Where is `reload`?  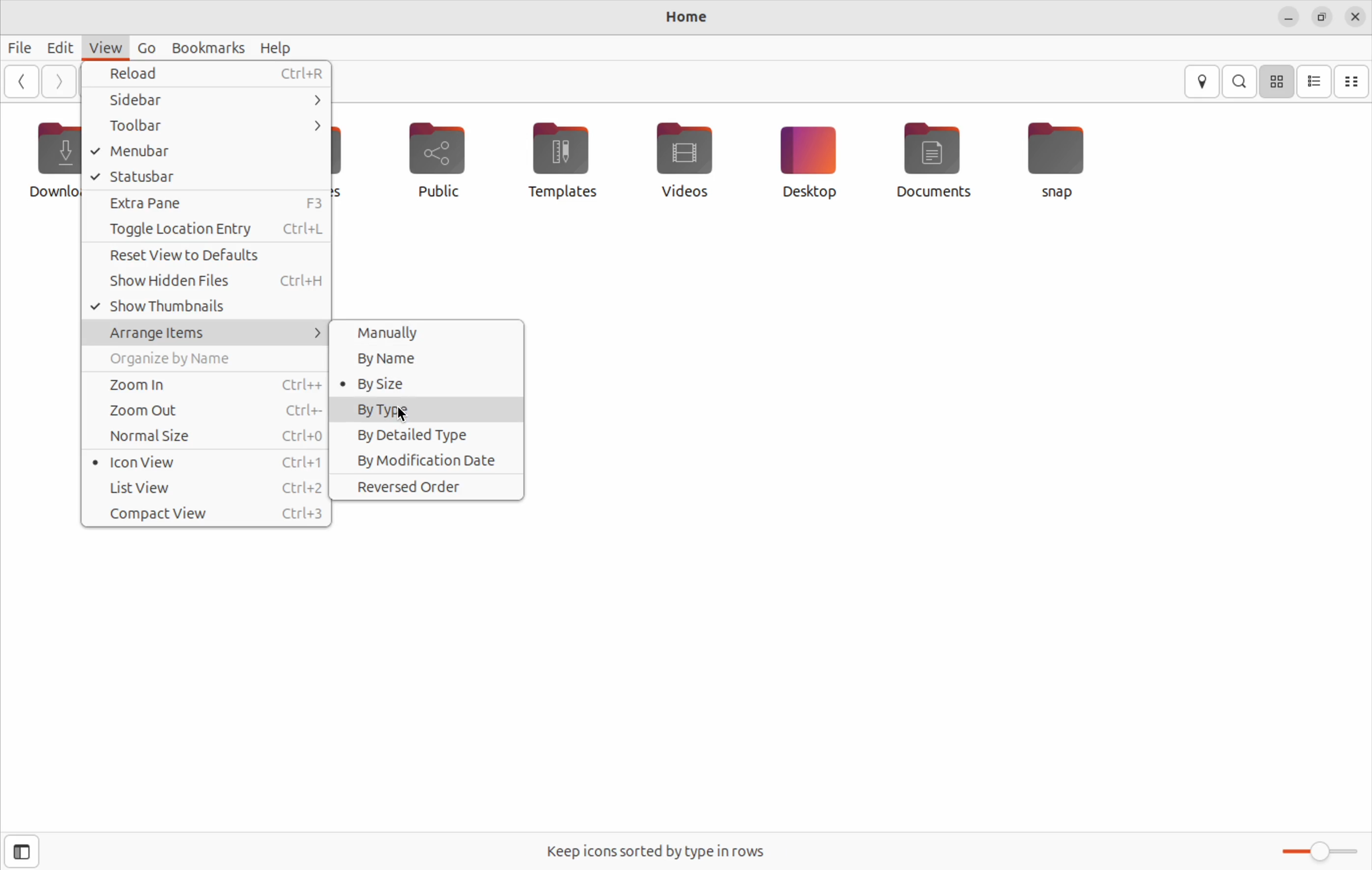 reload is located at coordinates (208, 76).